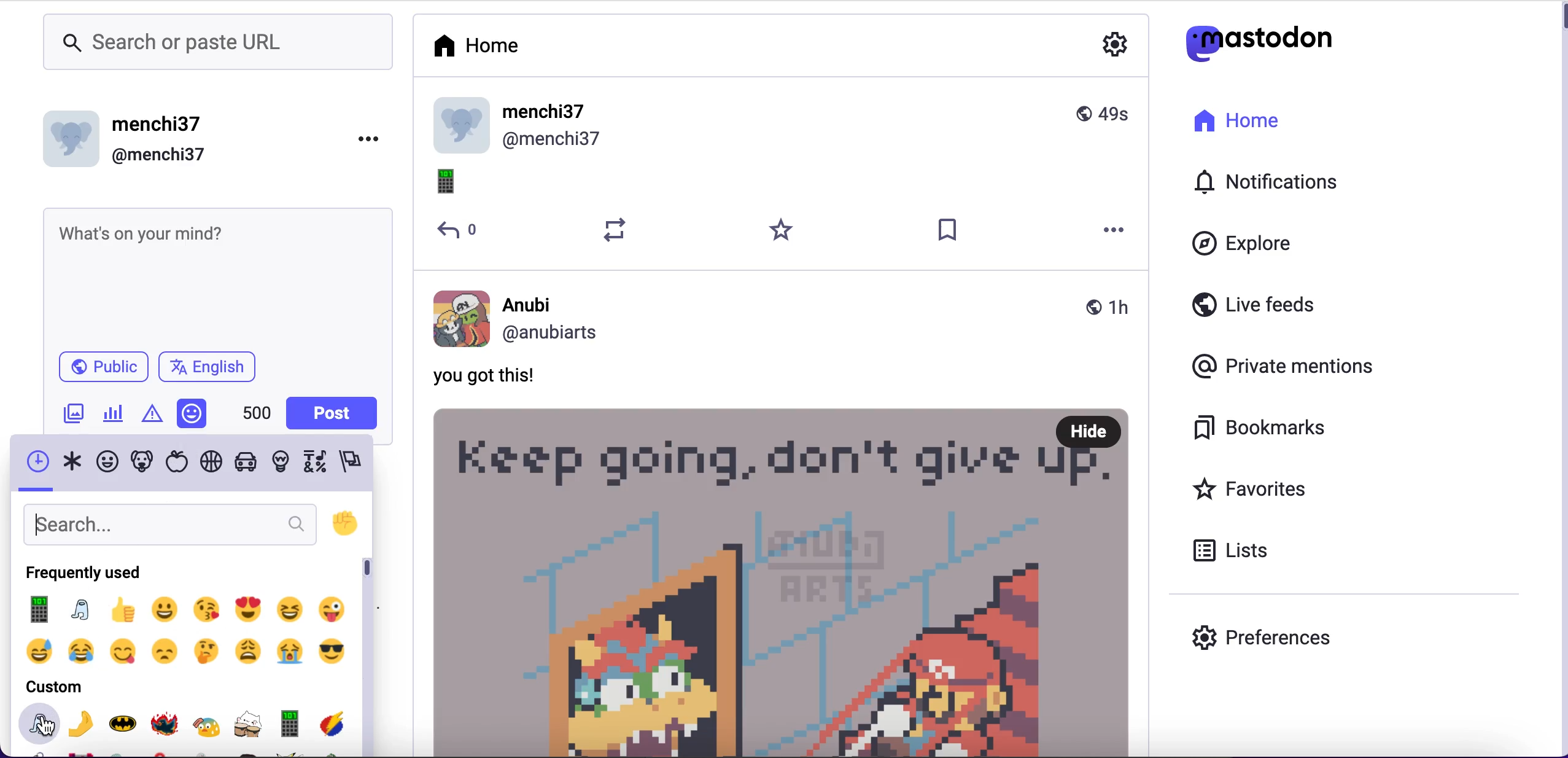 The image size is (1568, 758). I want to click on lists, so click(1229, 551).